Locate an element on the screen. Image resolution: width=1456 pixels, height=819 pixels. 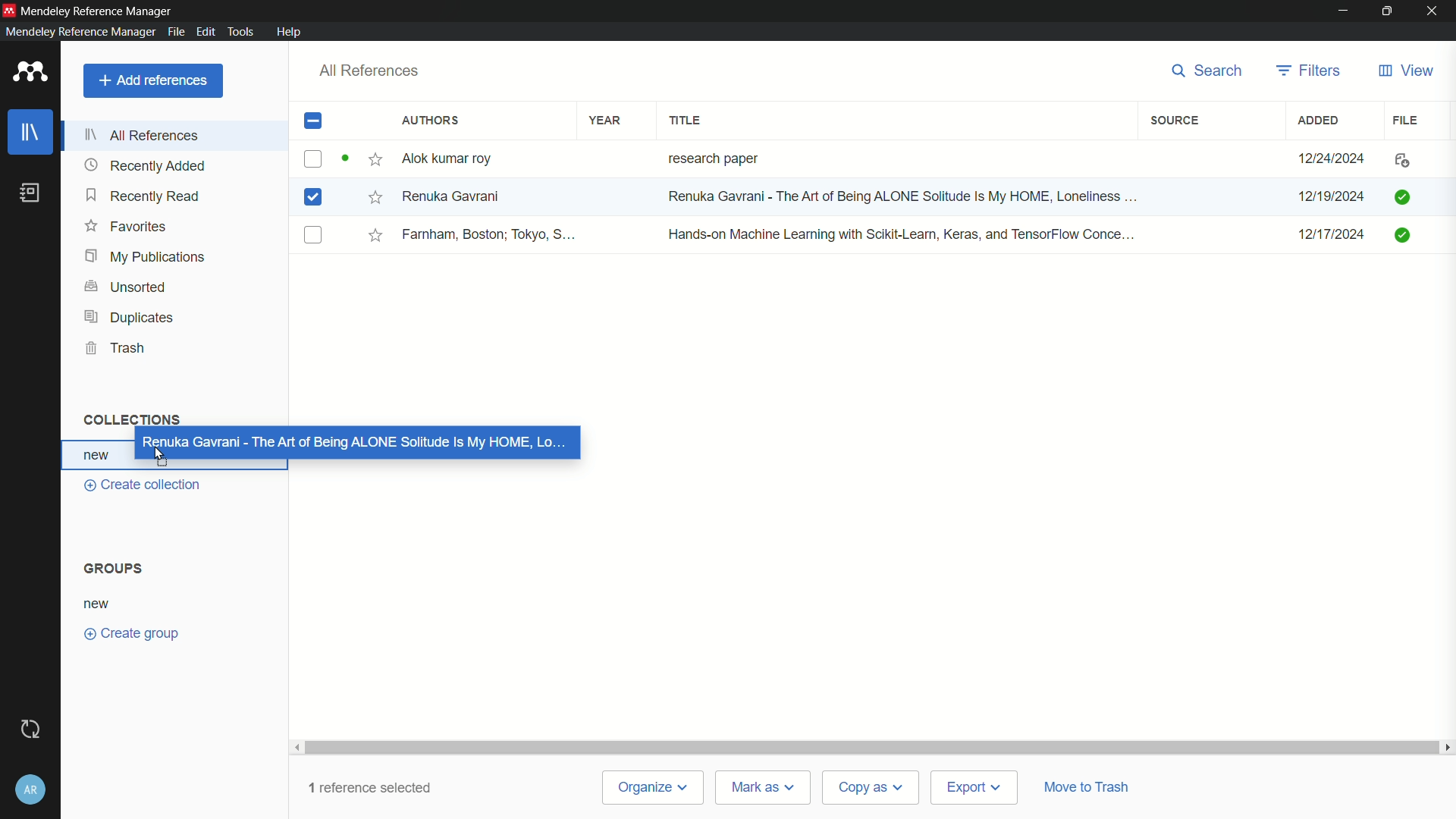
account and help is located at coordinates (30, 787).